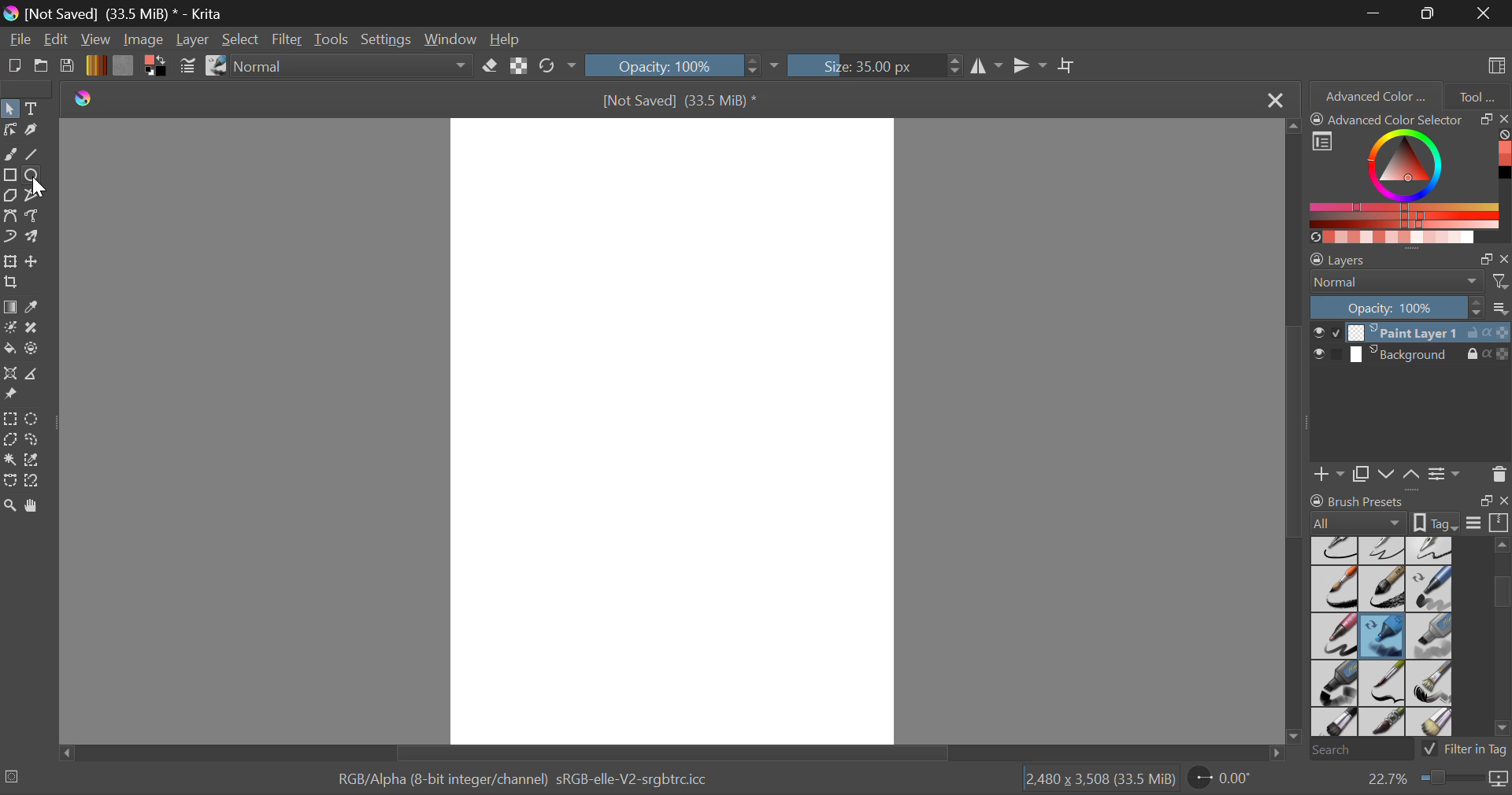 The image size is (1512, 795). I want to click on Bristles-2 Flat Rough, so click(1432, 684).